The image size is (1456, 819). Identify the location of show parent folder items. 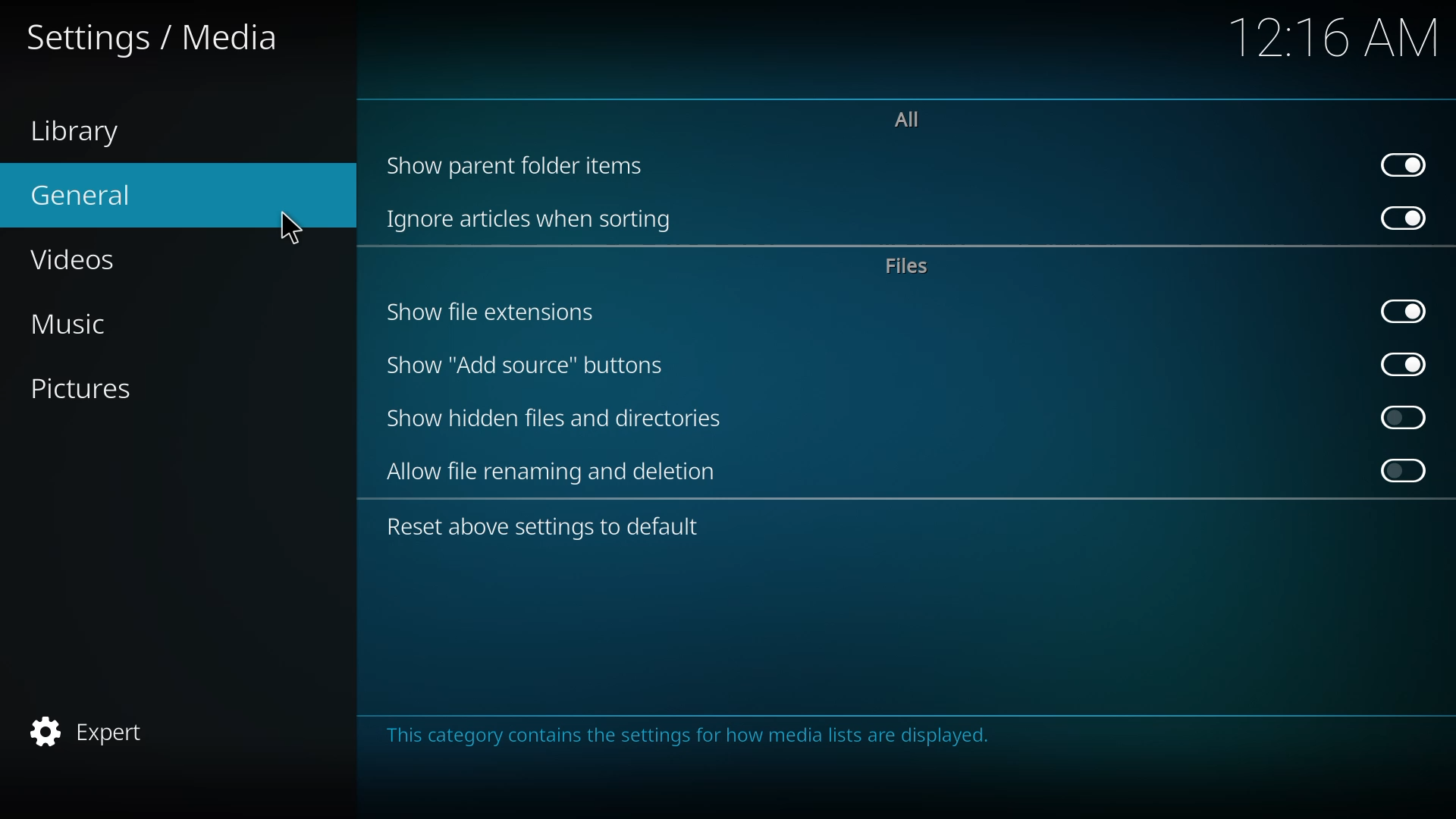
(517, 165).